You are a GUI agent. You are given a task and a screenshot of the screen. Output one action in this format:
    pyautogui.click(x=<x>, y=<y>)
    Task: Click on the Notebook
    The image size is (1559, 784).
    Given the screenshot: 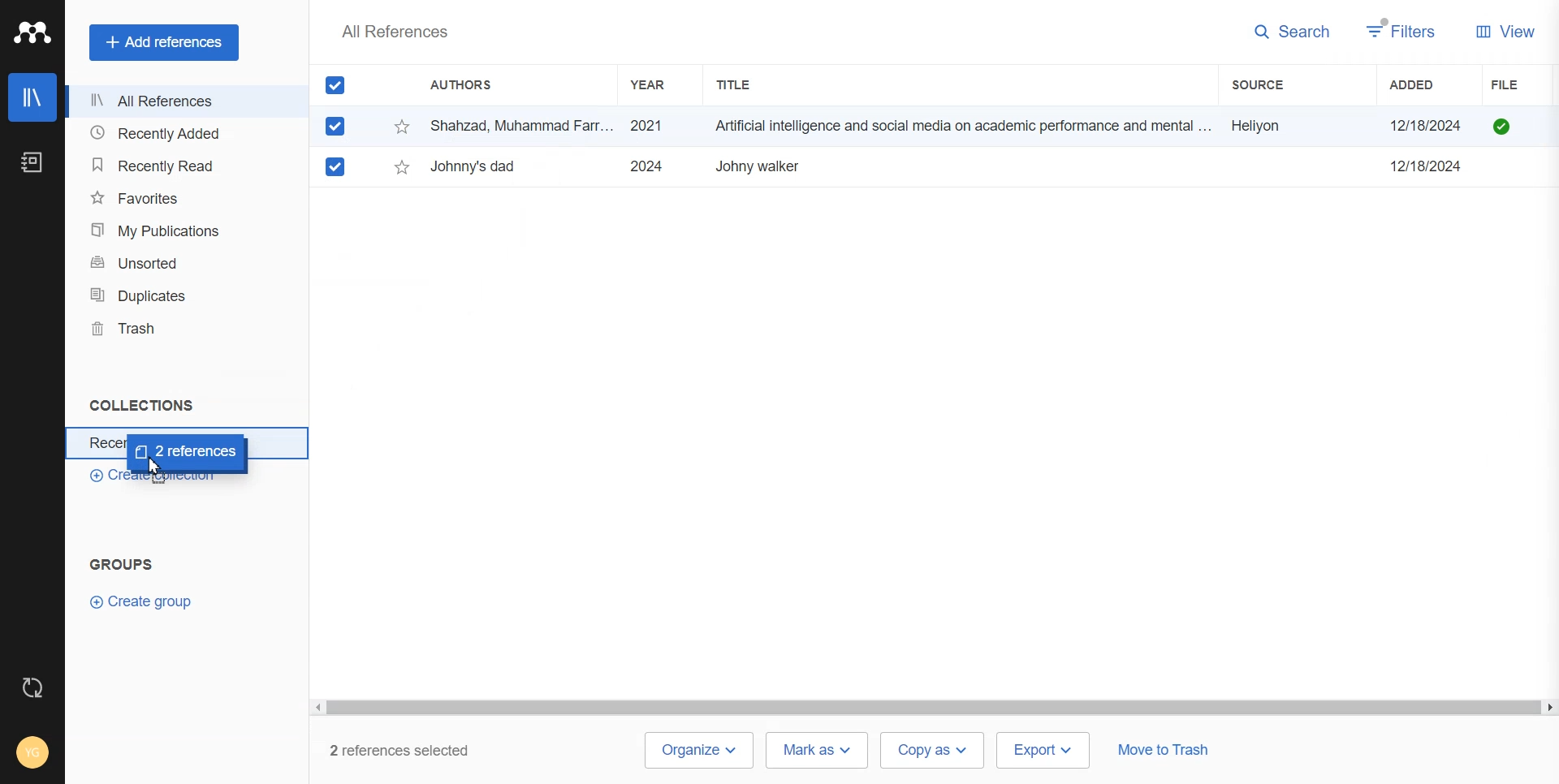 What is the action you would take?
    pyautogui.click(x=32, y=162)
    